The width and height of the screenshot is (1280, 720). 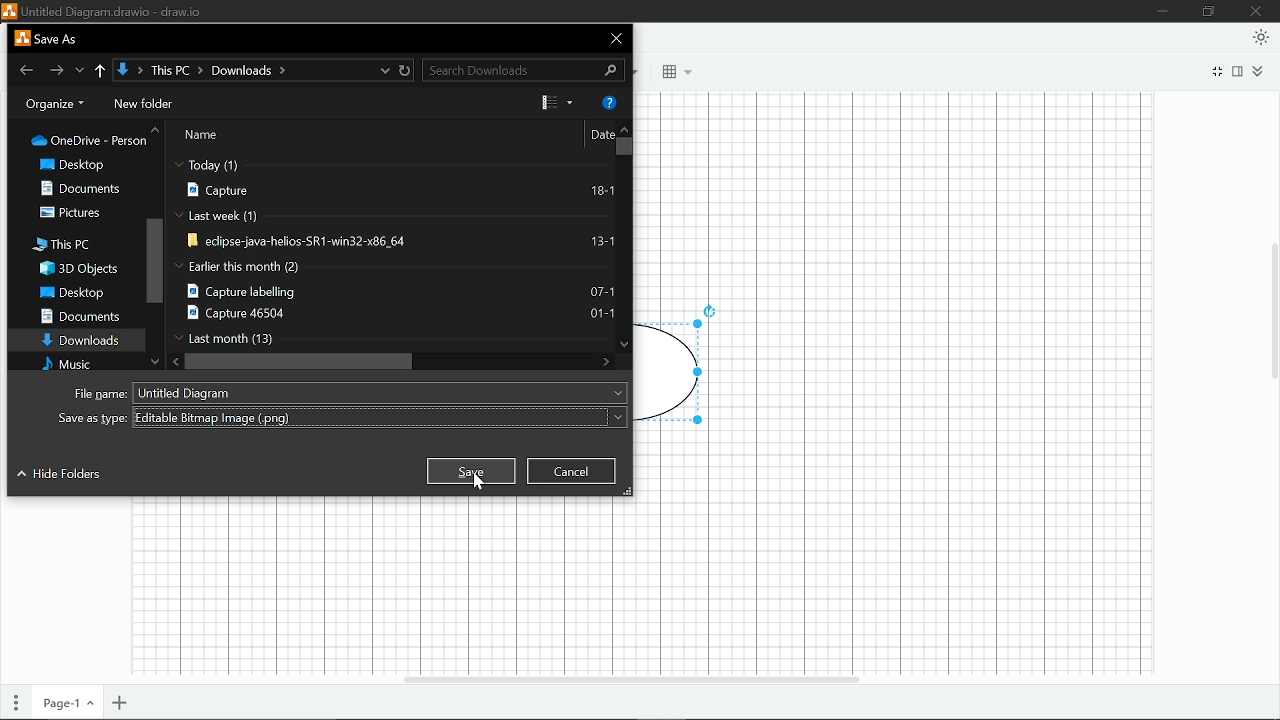 I want to click on current locations, so click(x=385, y=70).